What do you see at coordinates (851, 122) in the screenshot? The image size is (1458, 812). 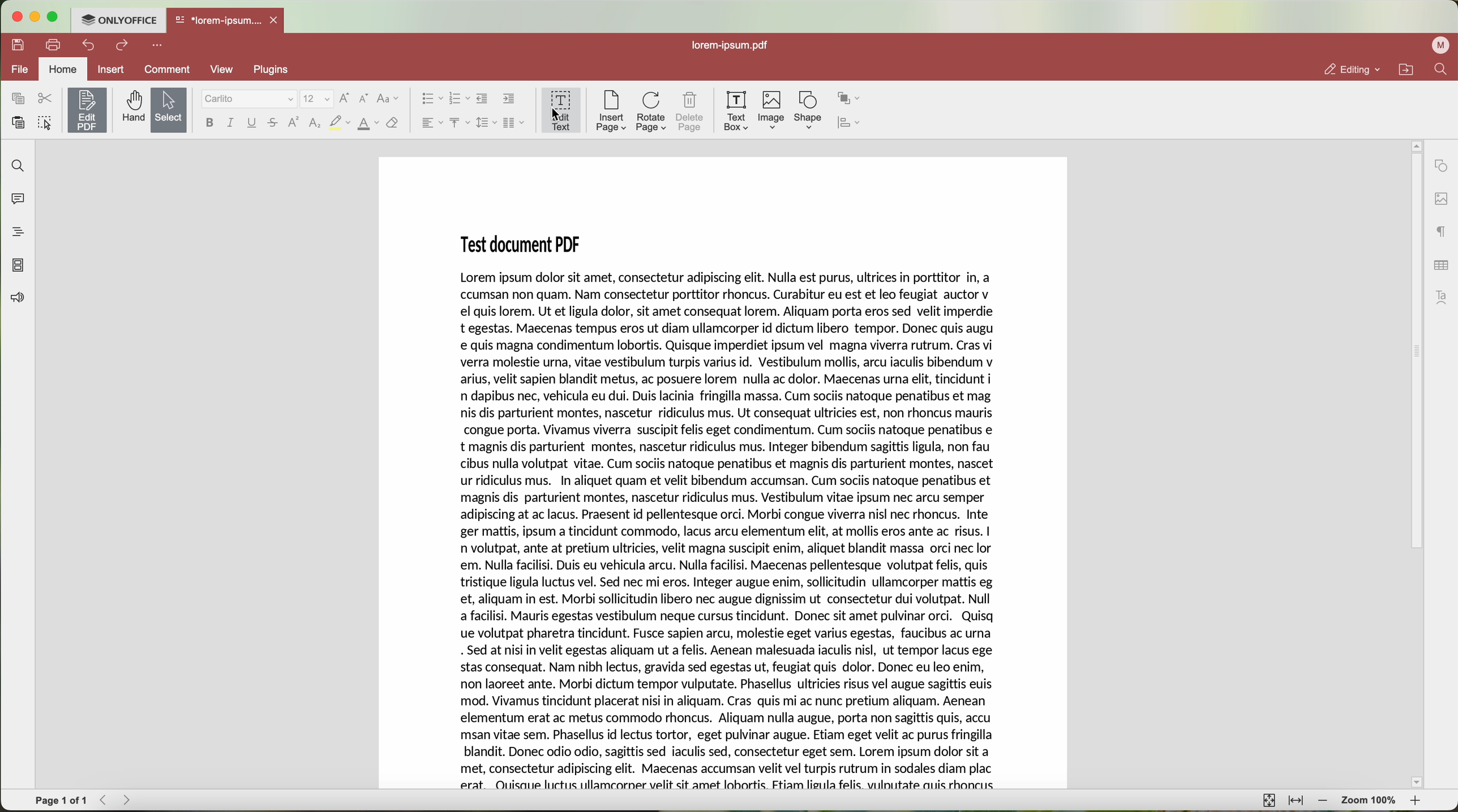 I see `align shape` at bounding box center [851, 122].